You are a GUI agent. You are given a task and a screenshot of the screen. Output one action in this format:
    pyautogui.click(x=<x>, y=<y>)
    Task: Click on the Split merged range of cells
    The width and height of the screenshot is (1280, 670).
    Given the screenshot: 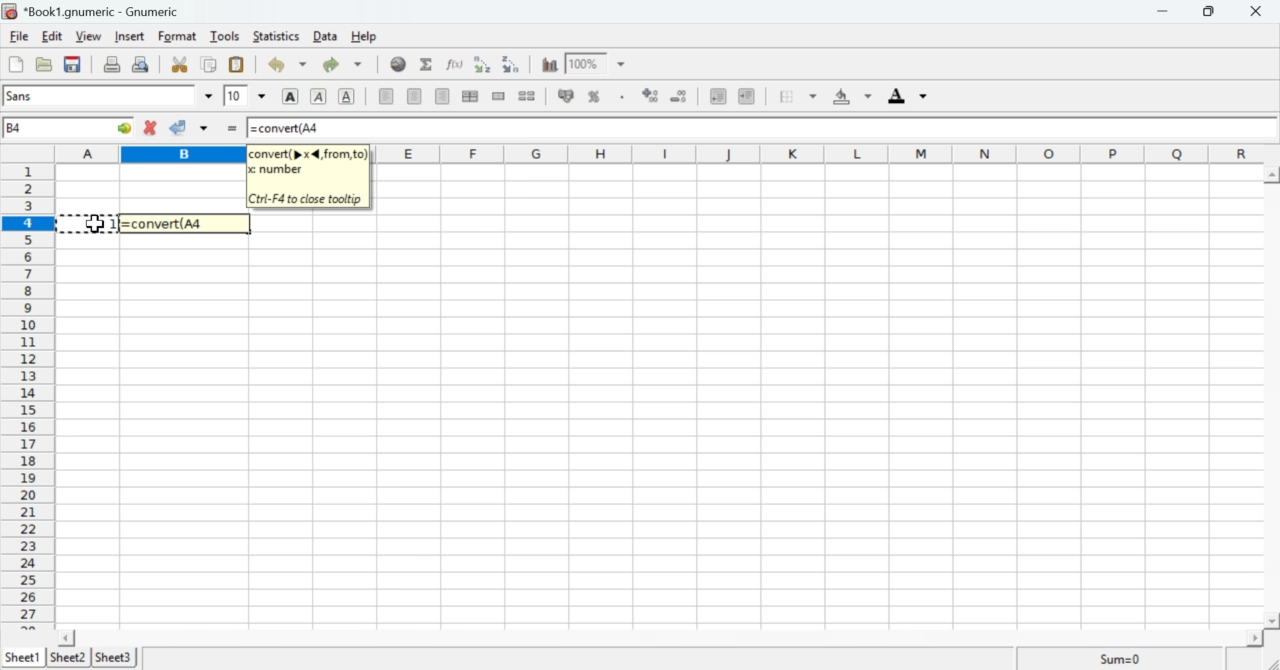 What is the action you would take?
    pyautogui.click(x=527, y=95)
    